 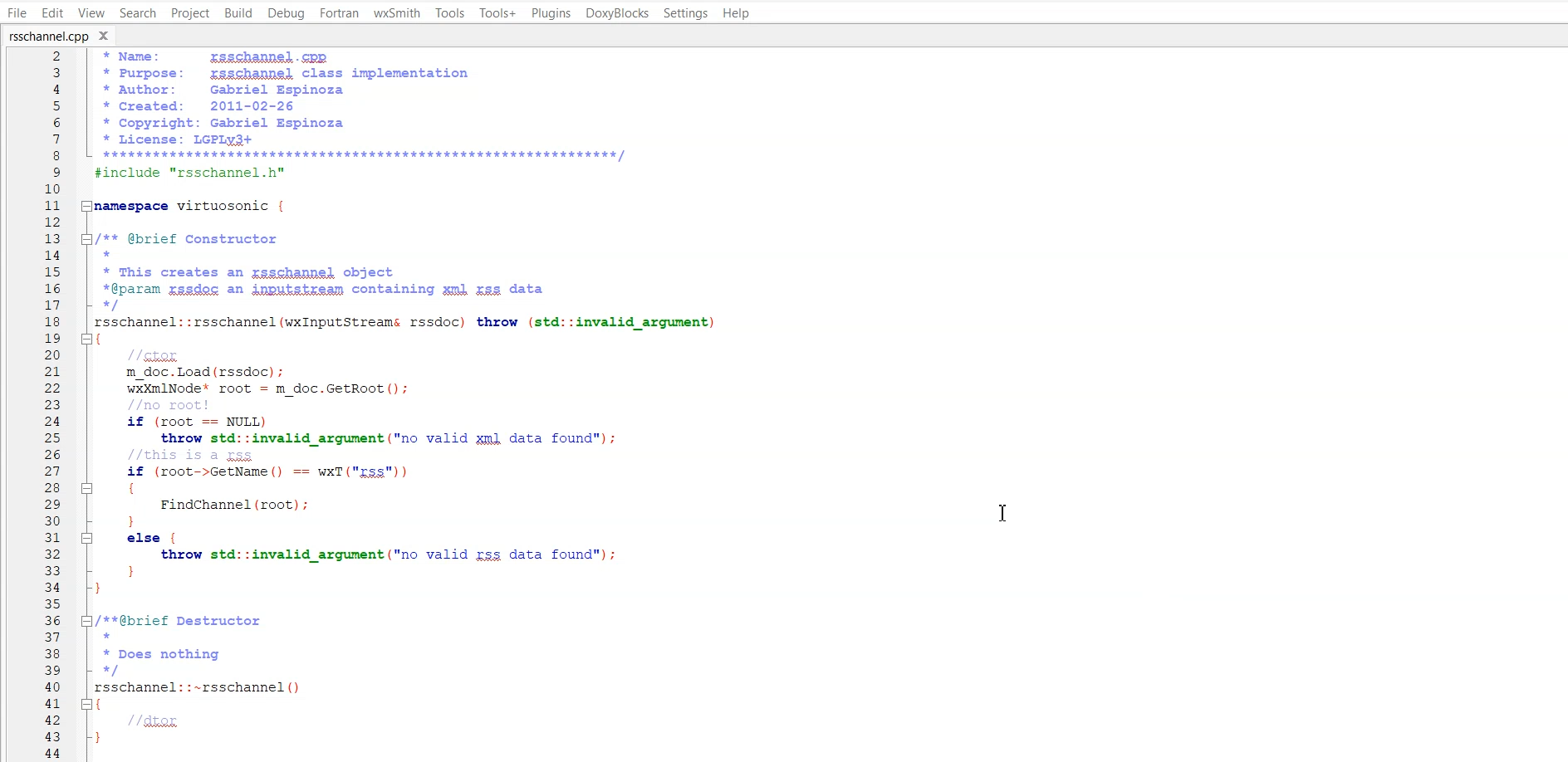 I want to click on Build, so click(x=239, y=13).